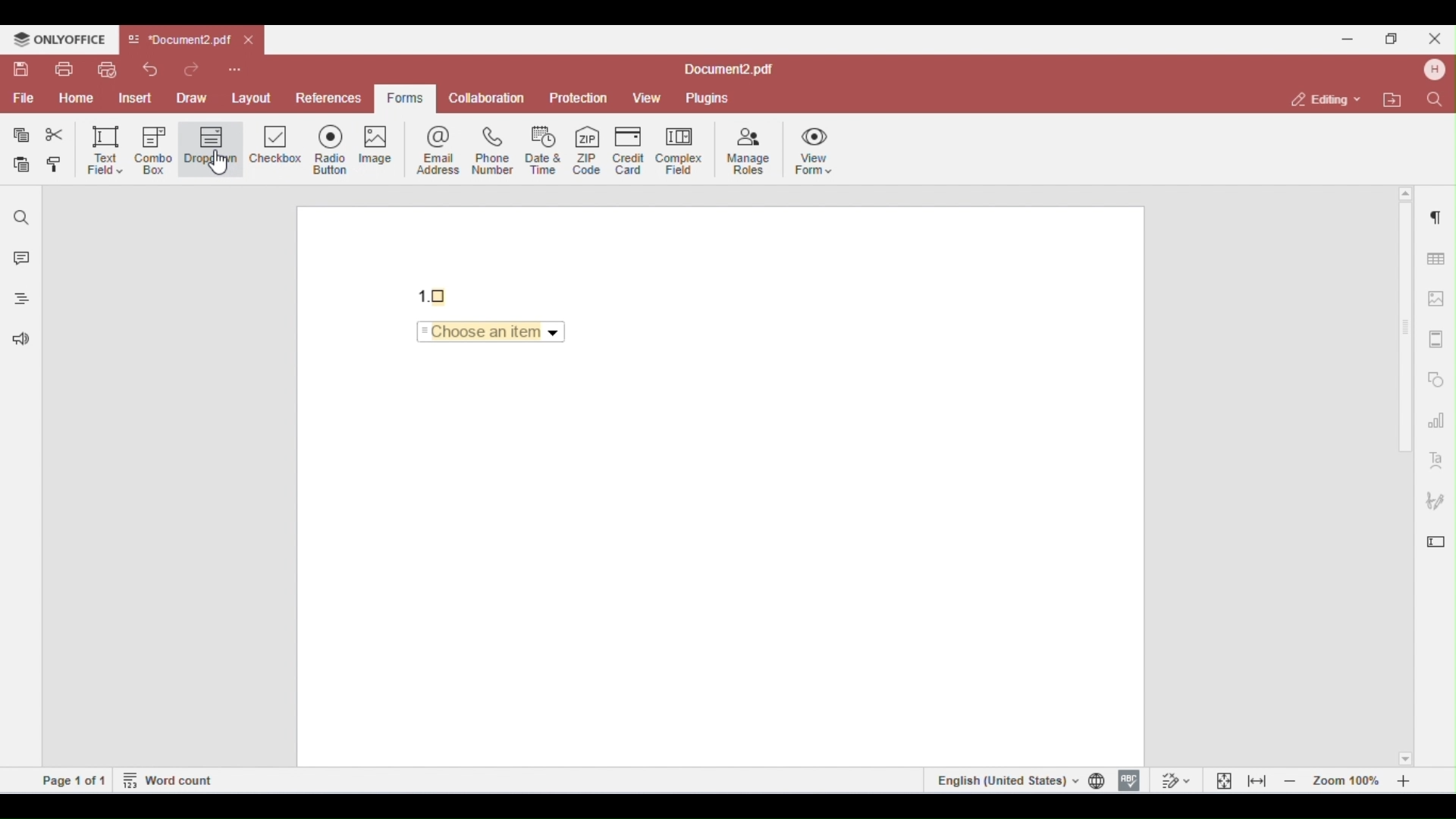 The height and width of the screenshot is (819, 1456). What do you see at coordinates (138, 98) in the screenshot?
I see `insert` at bounding box center [138, 98].